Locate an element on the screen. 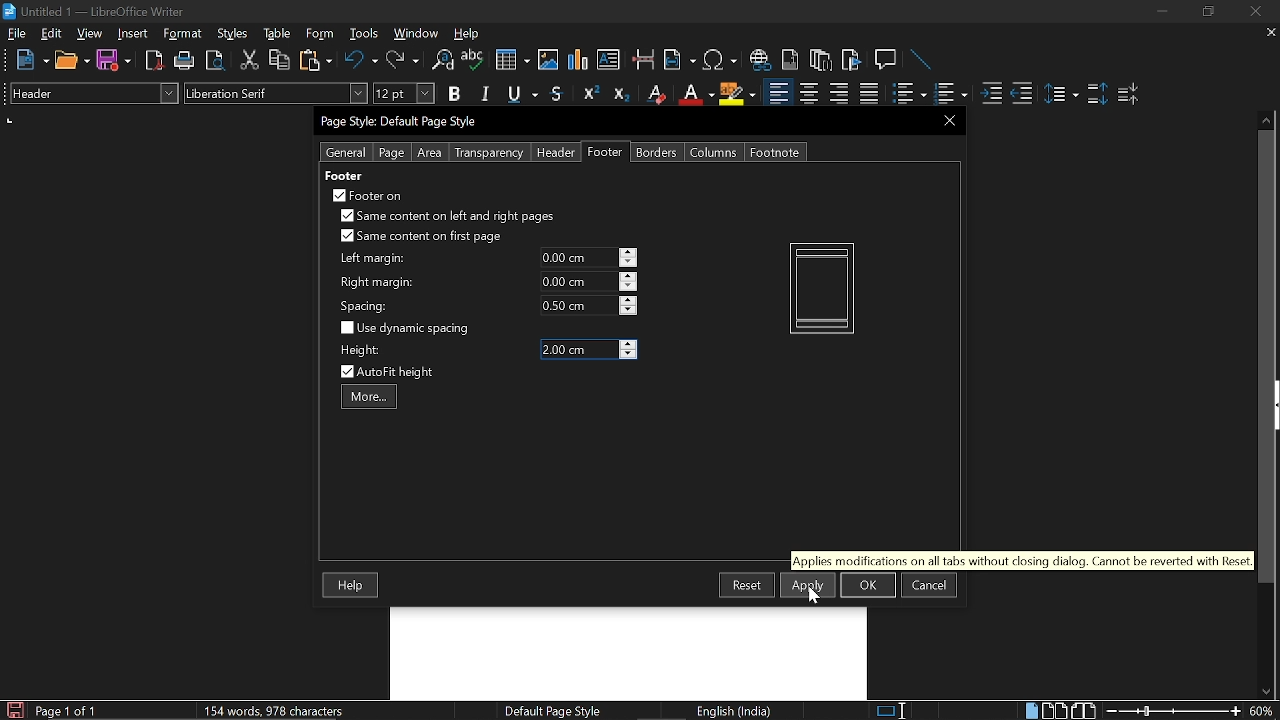  Single page view is located at coordinates (1031, 710).